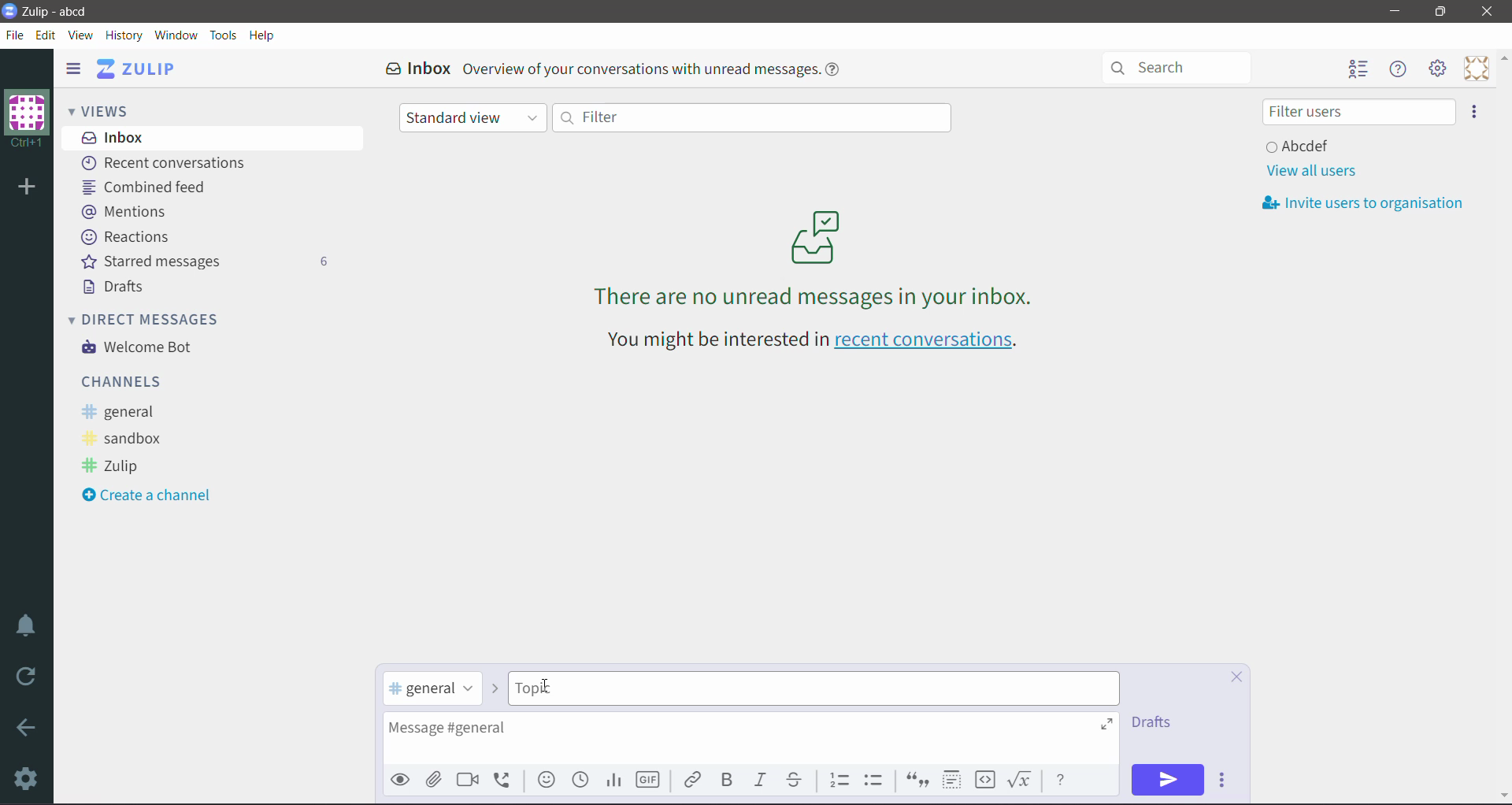 Image resolution: width=1512 pixels, height=805 pixels. What do you see at coordinates (262, 35) in the screenshot?
I see `Help` at bounding box center [262, 35].